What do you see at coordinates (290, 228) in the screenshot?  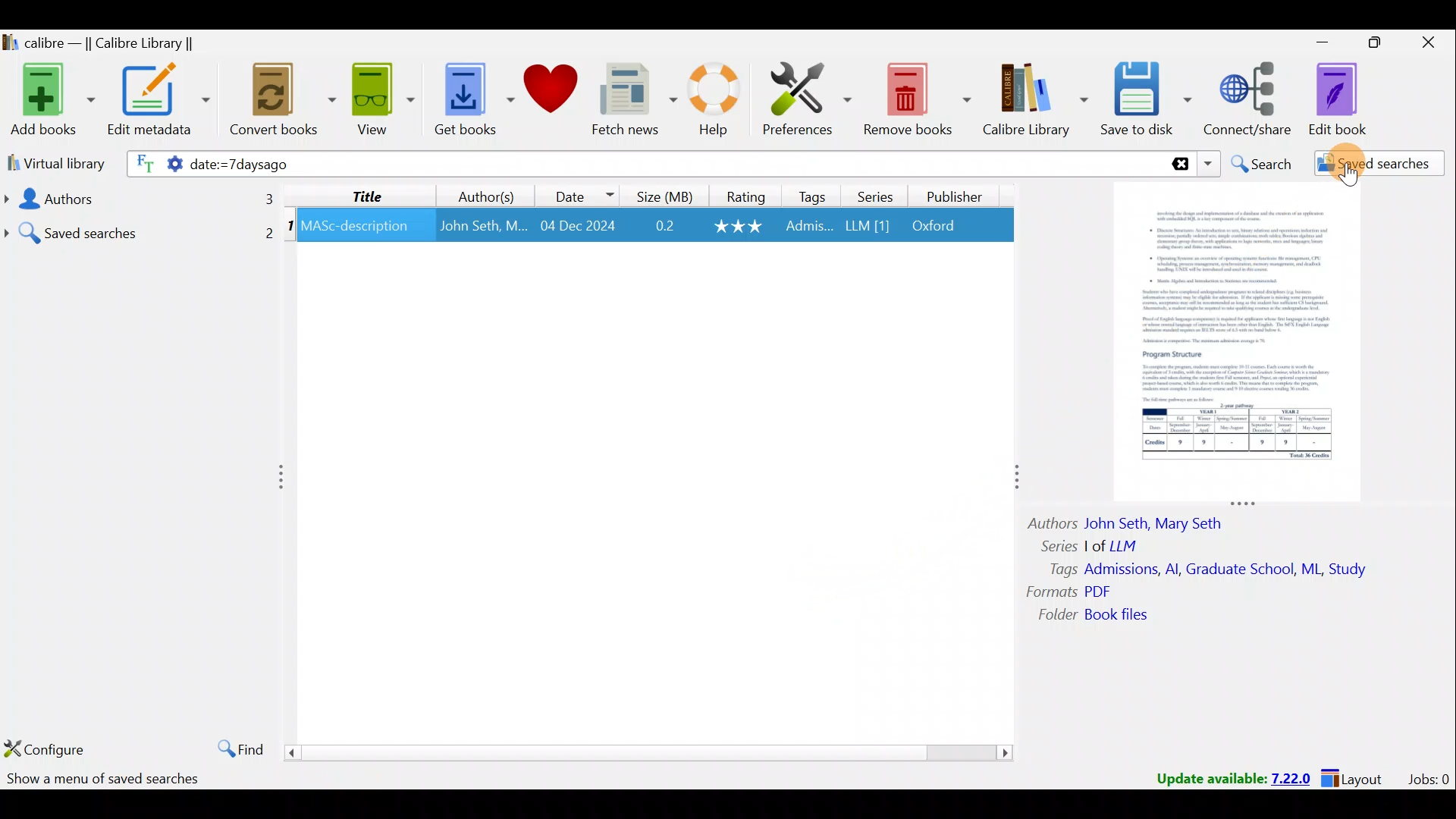 I see `1` at bounding box center [290, 228].